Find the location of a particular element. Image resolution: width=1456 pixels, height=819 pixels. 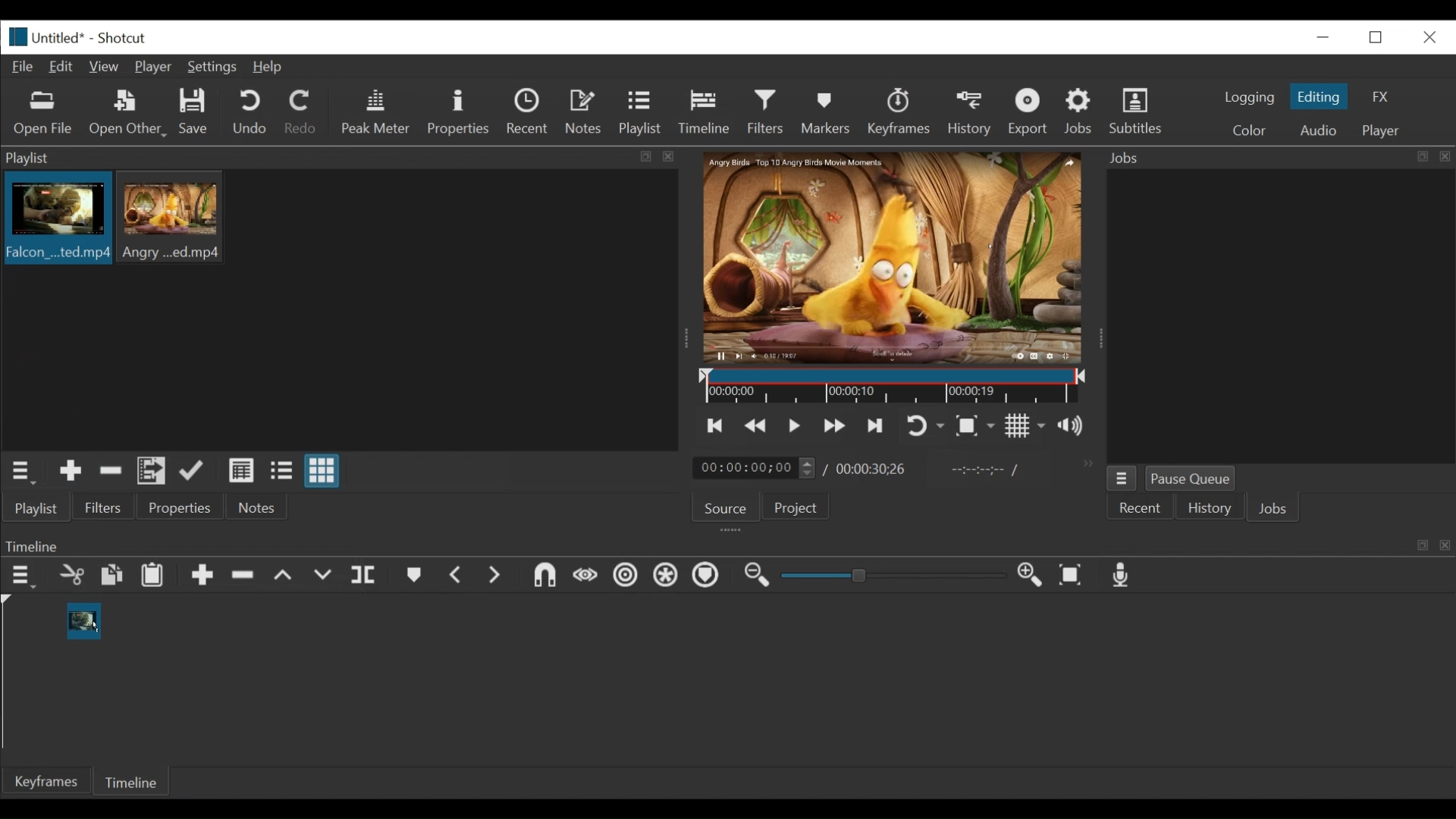

Add the source to the playlist is located at coordinates (69, 473).